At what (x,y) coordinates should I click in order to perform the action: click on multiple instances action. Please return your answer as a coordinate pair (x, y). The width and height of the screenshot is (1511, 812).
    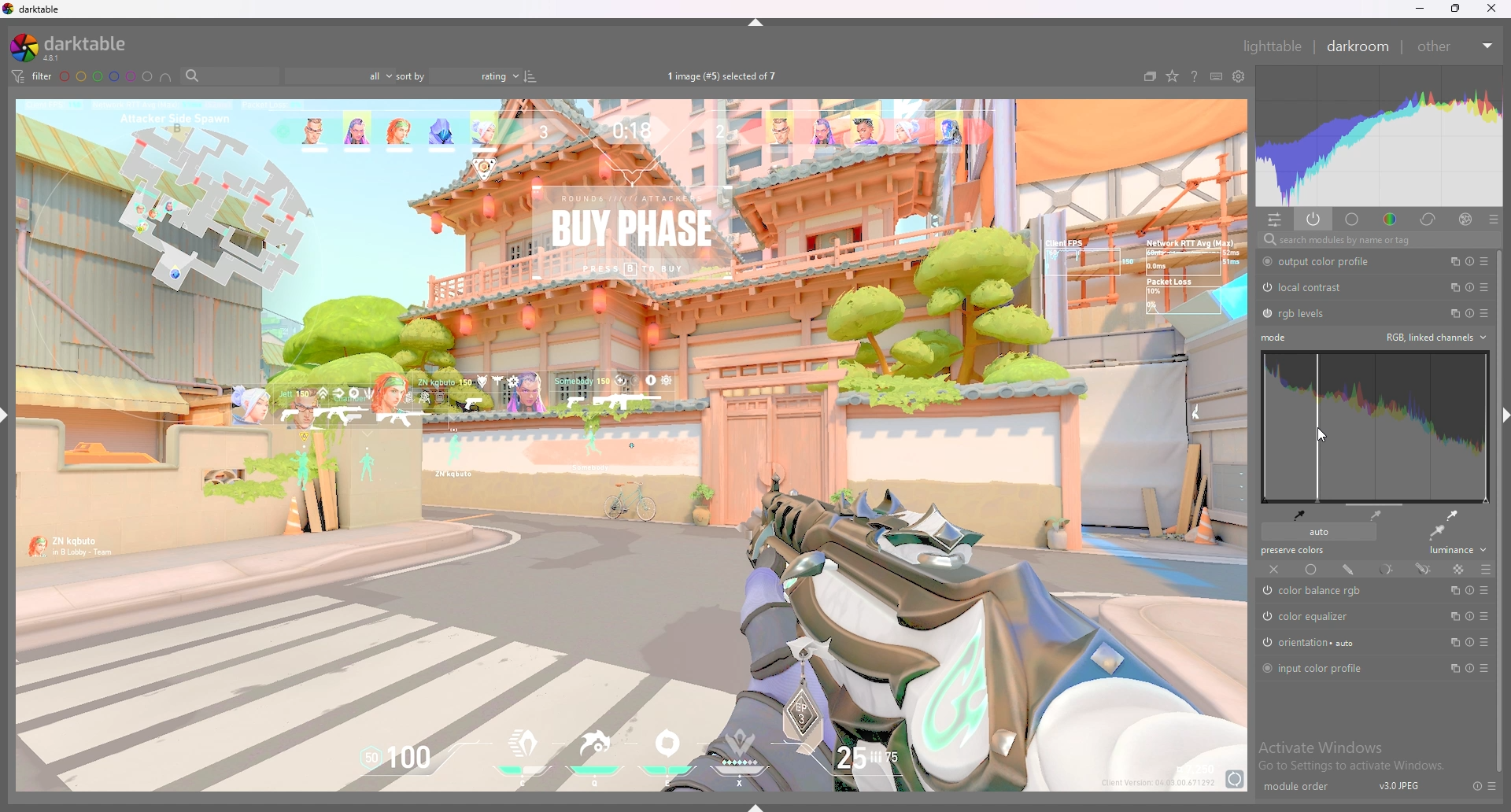
    Looking at the image, I should click on (1454, 590).